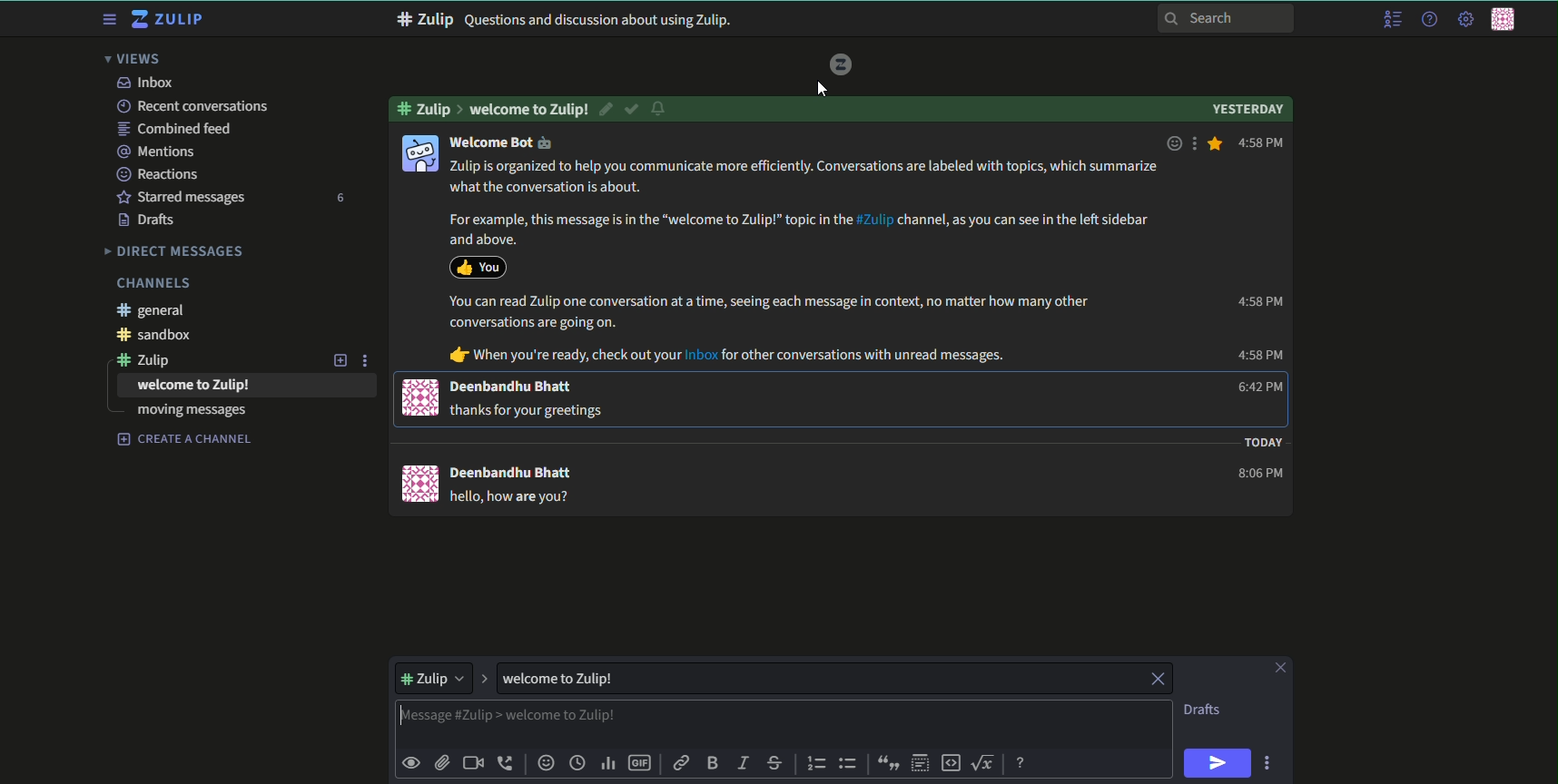 Image resolution: width=1558 pixels, height=784 pixels. I want to click on j@ thanks for your greetings, so click(531, 409).